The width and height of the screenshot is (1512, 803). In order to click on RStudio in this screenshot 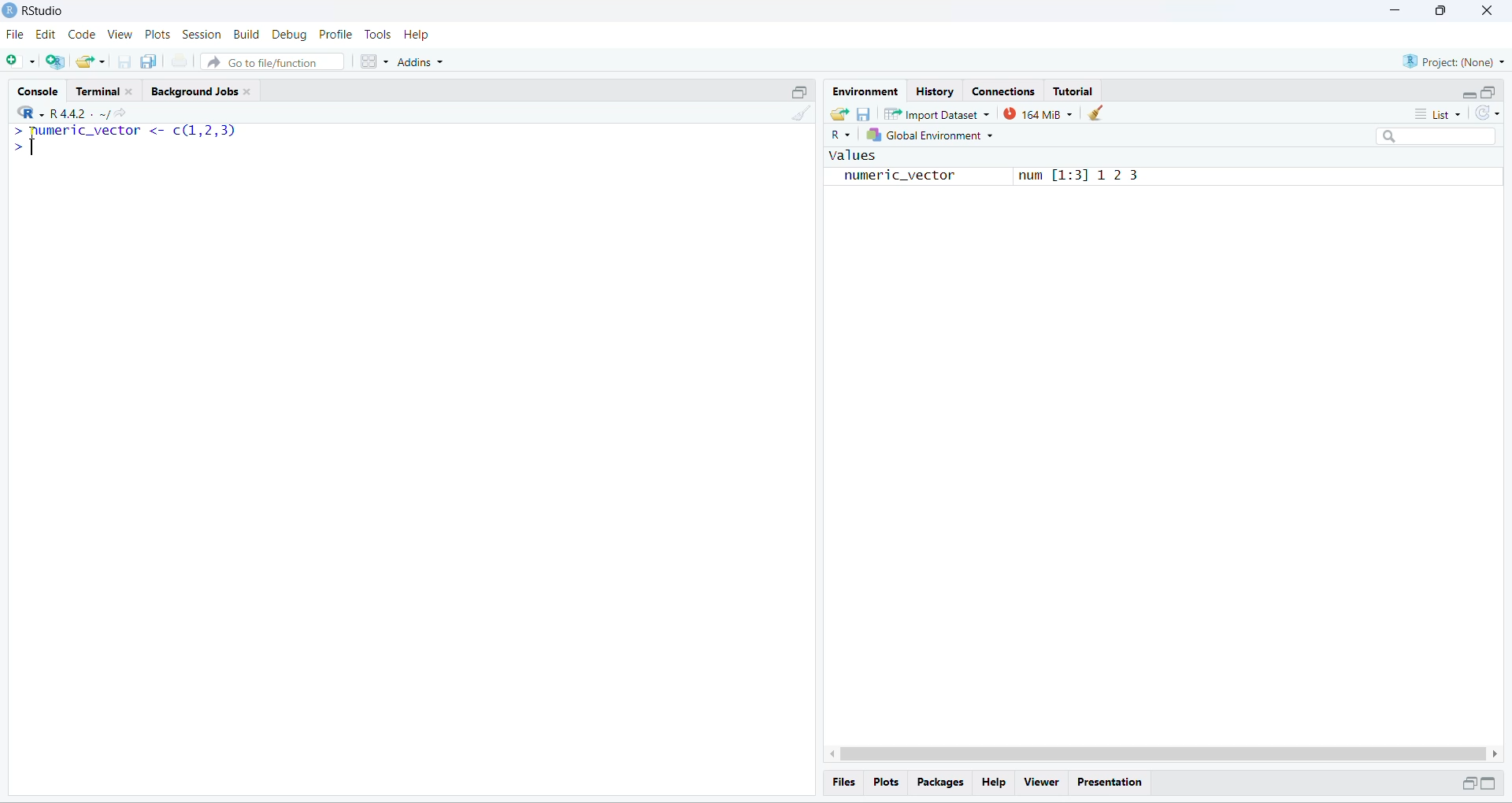, I will do `click(47, 9)`.